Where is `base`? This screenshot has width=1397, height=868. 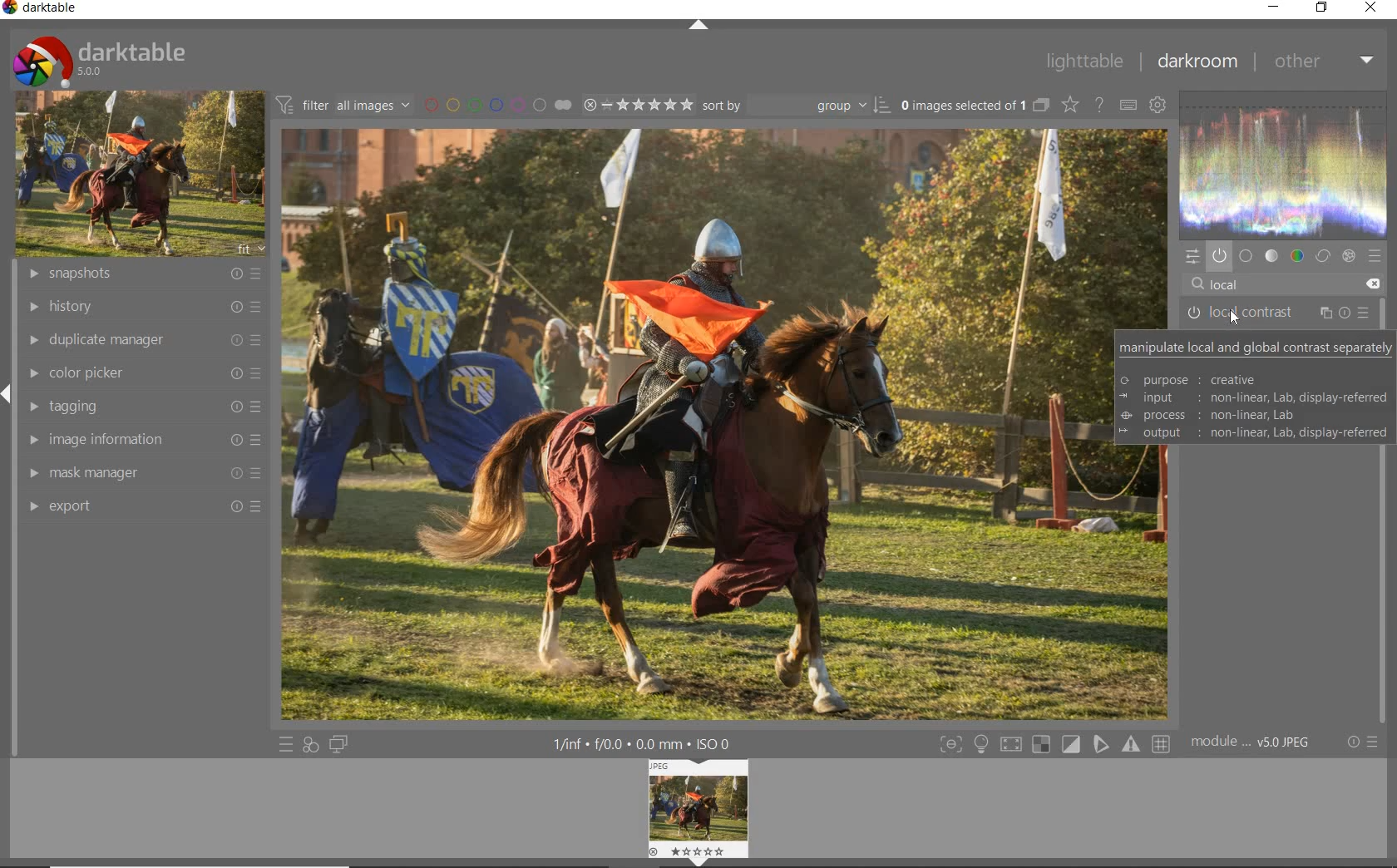
base is located at coordinates (1246, 255).